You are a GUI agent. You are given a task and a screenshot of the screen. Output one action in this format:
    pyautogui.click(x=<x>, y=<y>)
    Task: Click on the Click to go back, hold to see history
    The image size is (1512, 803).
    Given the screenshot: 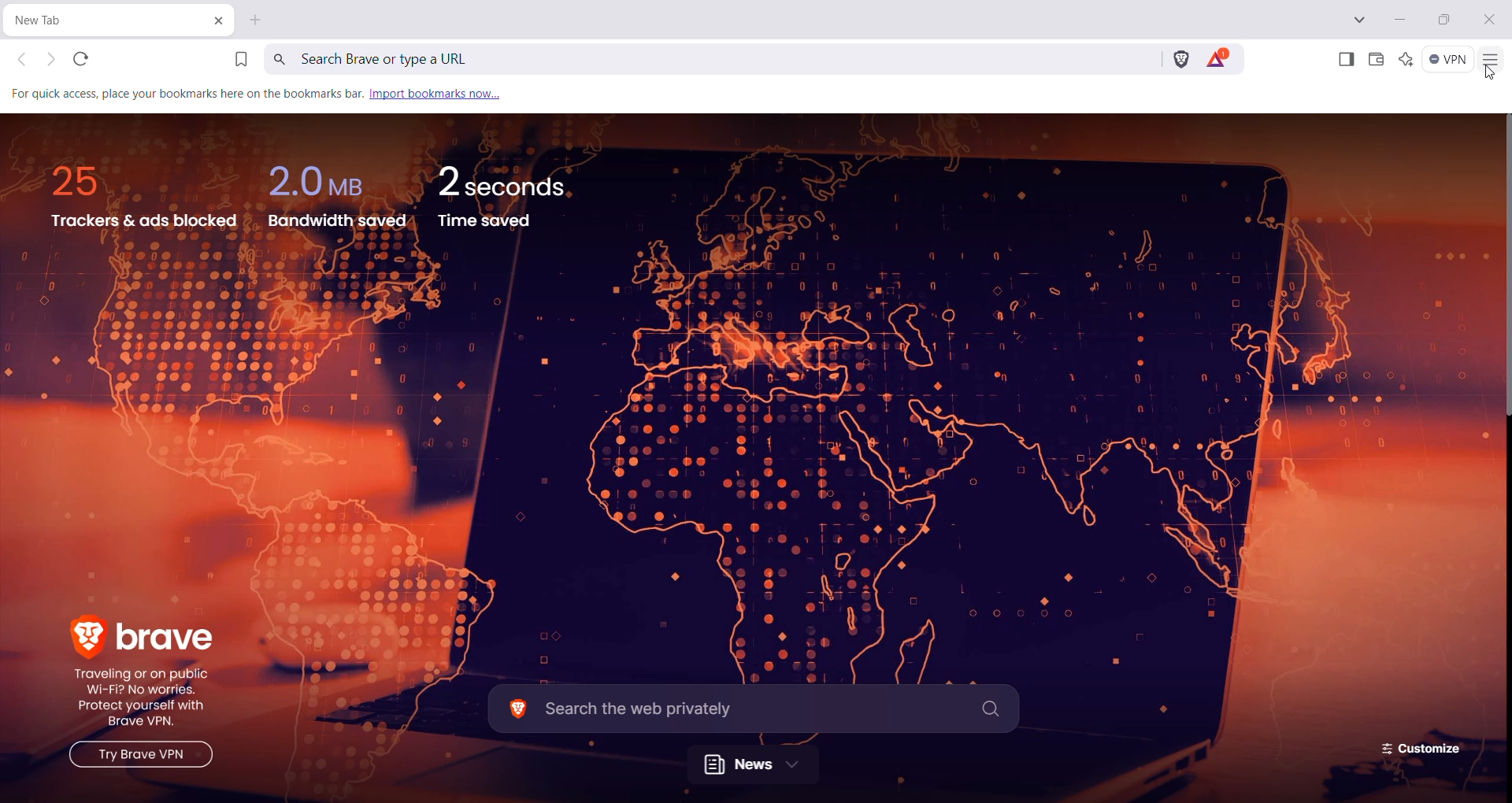 What is the action you would take?
    pyautogui.click(x=20, y=59)
    